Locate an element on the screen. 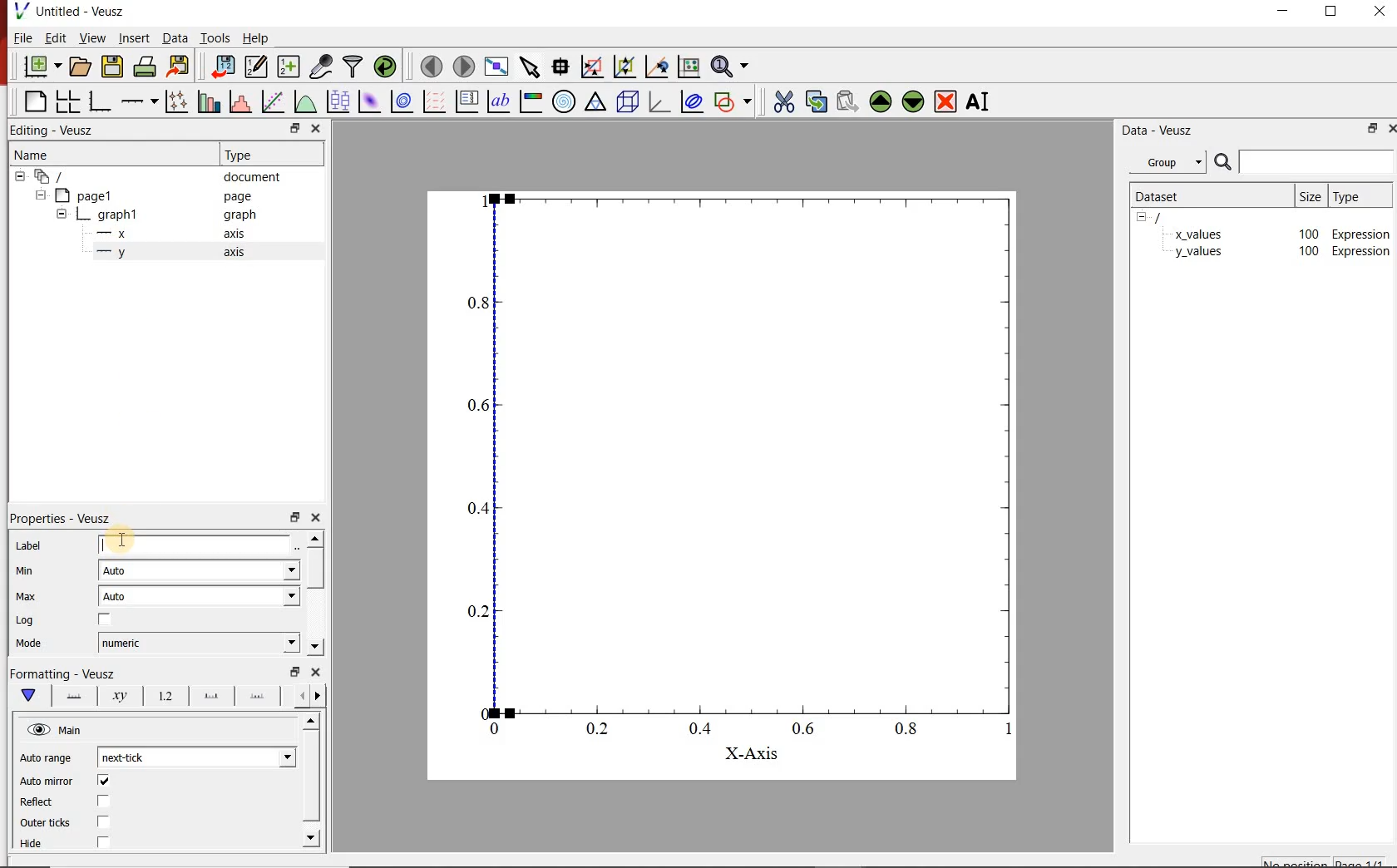  polar graph is located at coordinates (565, 103).